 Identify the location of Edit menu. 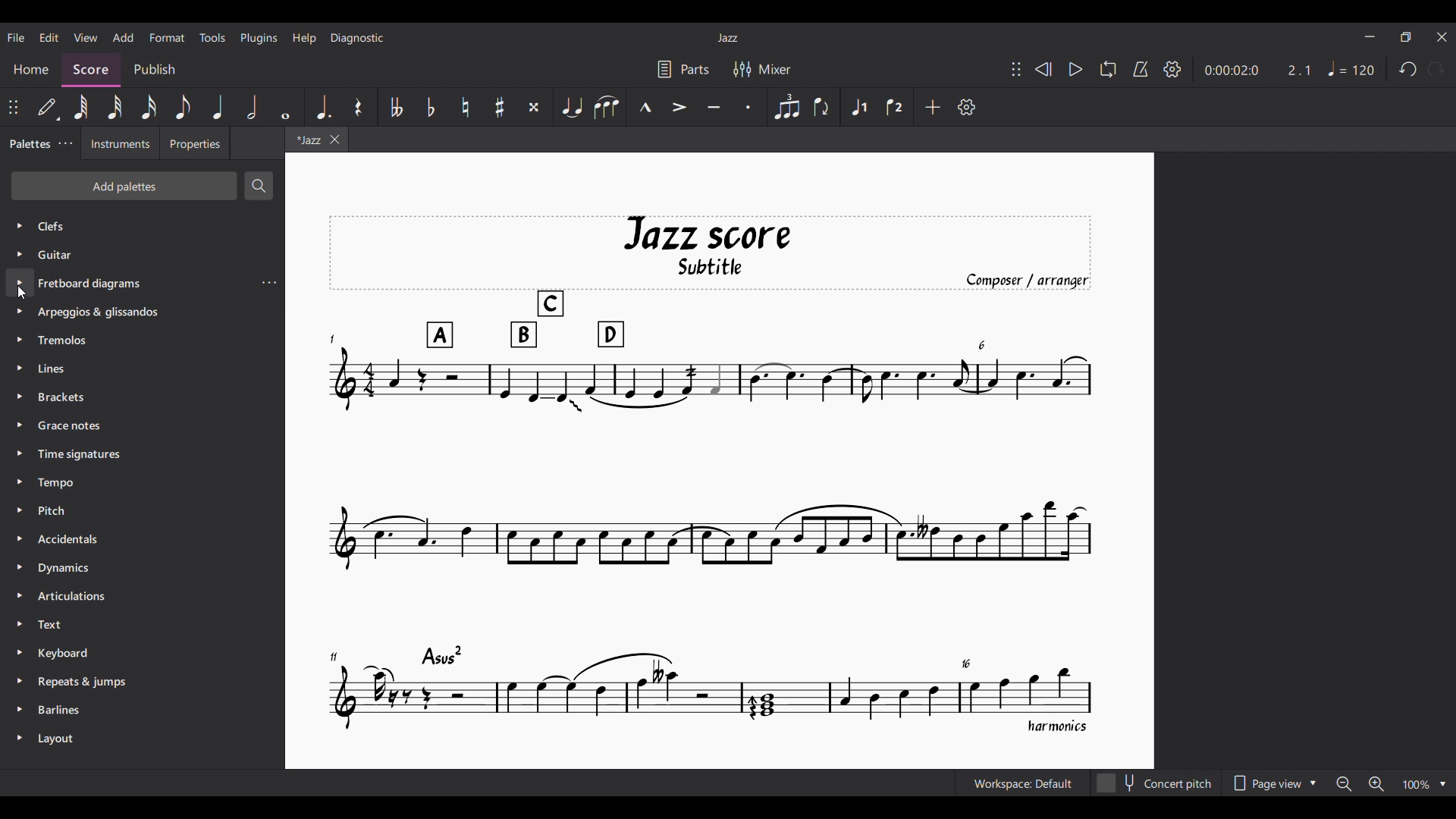
(49, 37).